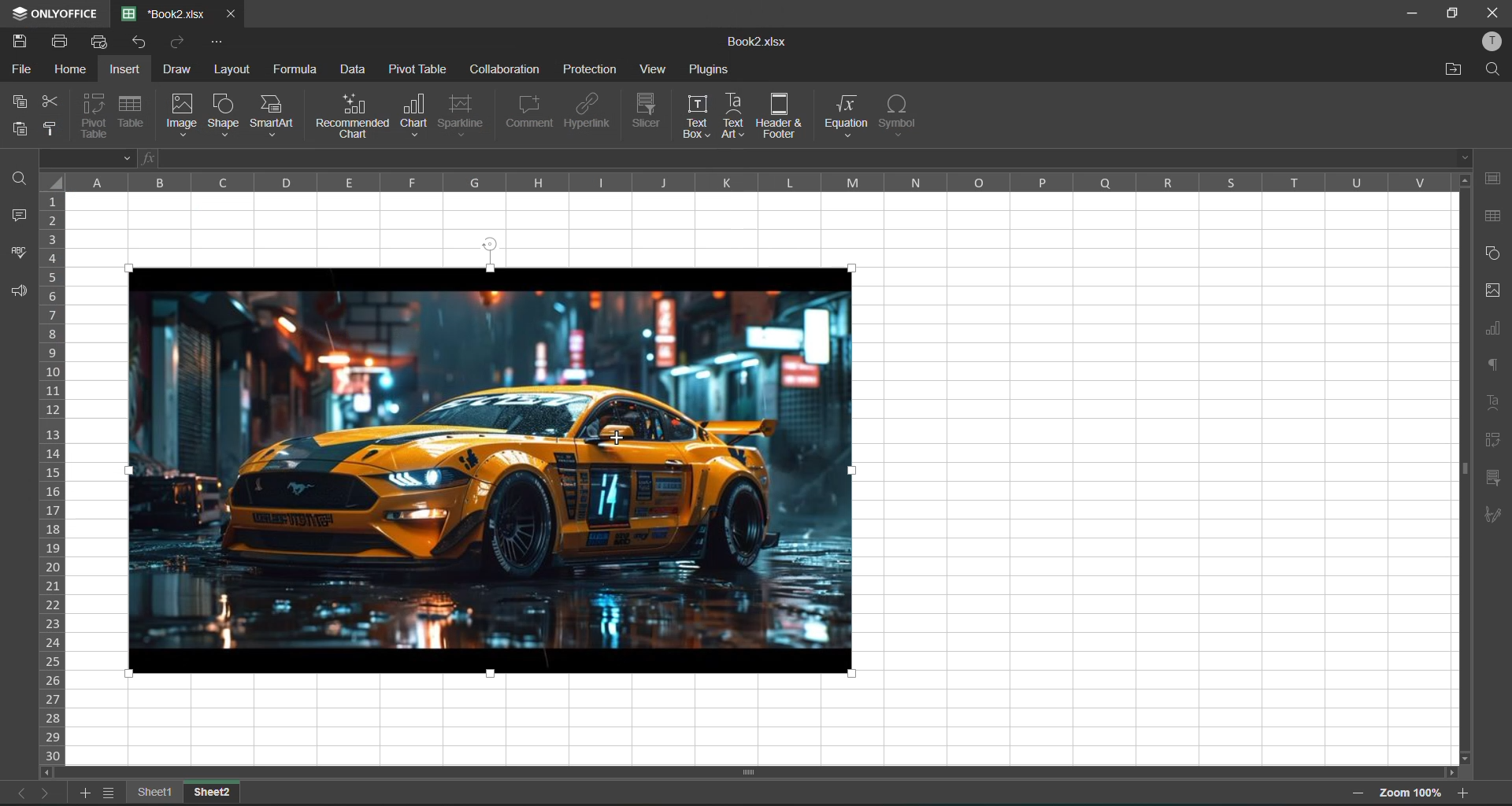 This screenshot has height=806, width=1512. Describe the element at coordinates (1496, 440) in the screenshot. I see `pivot table` at that location.